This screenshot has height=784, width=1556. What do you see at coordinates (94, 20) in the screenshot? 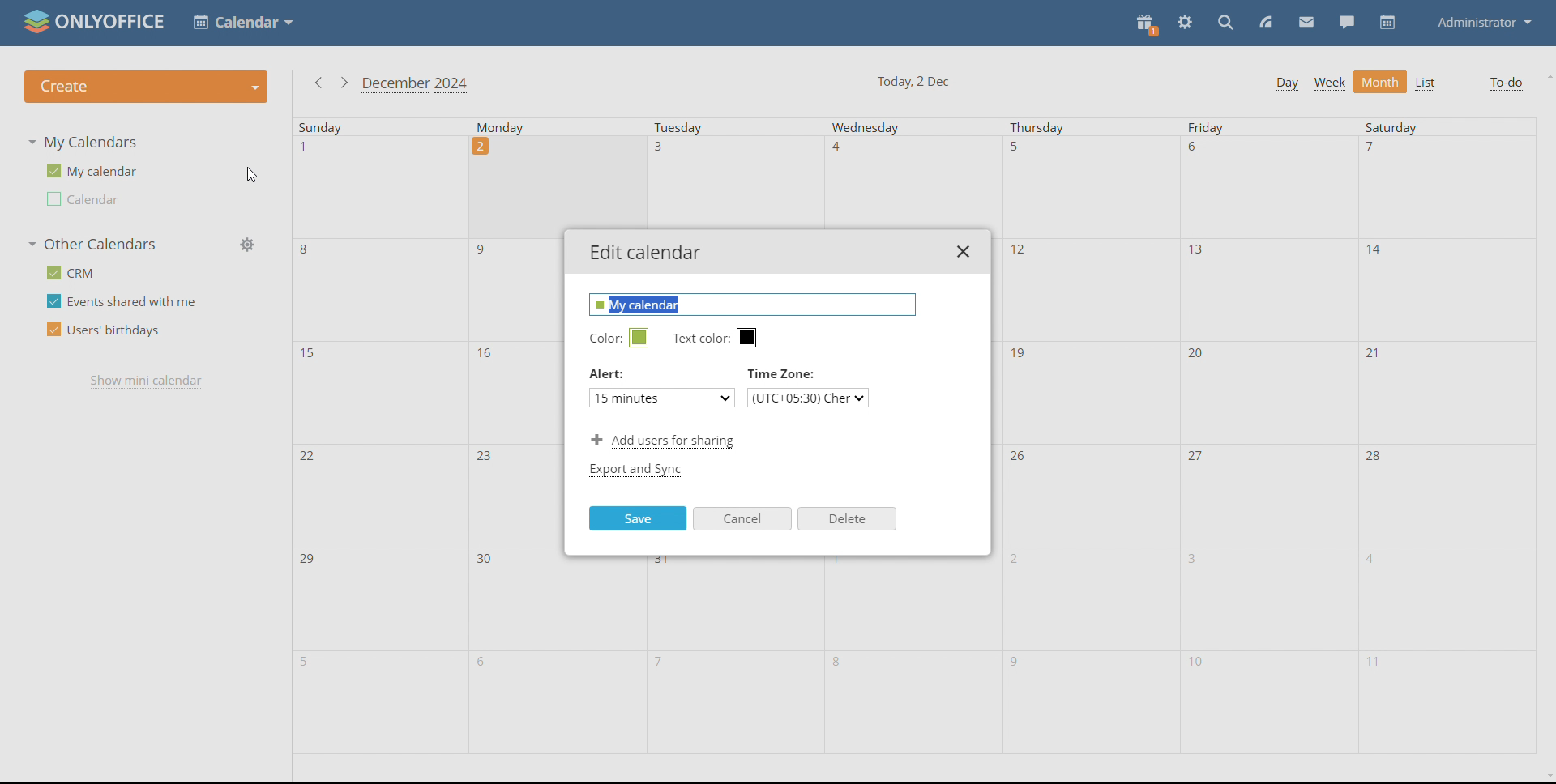
I see `logo` at bounding box center [94, 20].